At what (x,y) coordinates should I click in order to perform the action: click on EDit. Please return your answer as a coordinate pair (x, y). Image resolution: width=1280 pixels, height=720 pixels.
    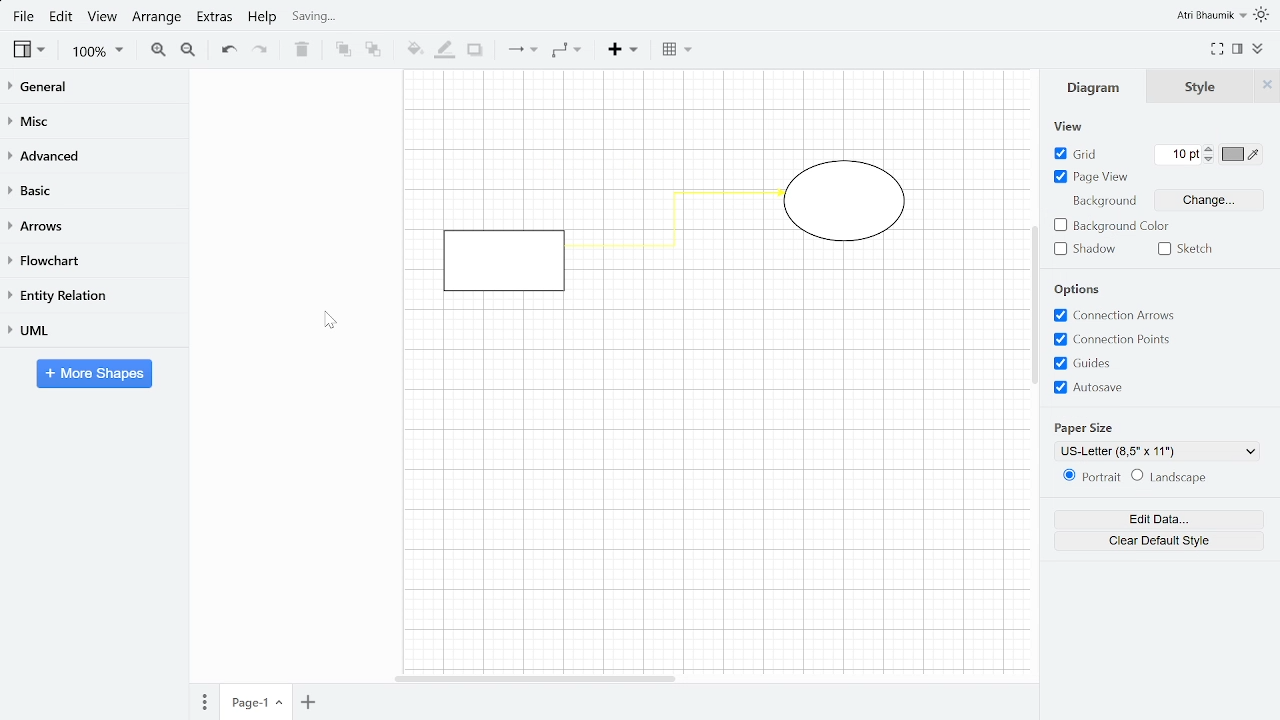
    Looking at the image, I should click on (62, 18).